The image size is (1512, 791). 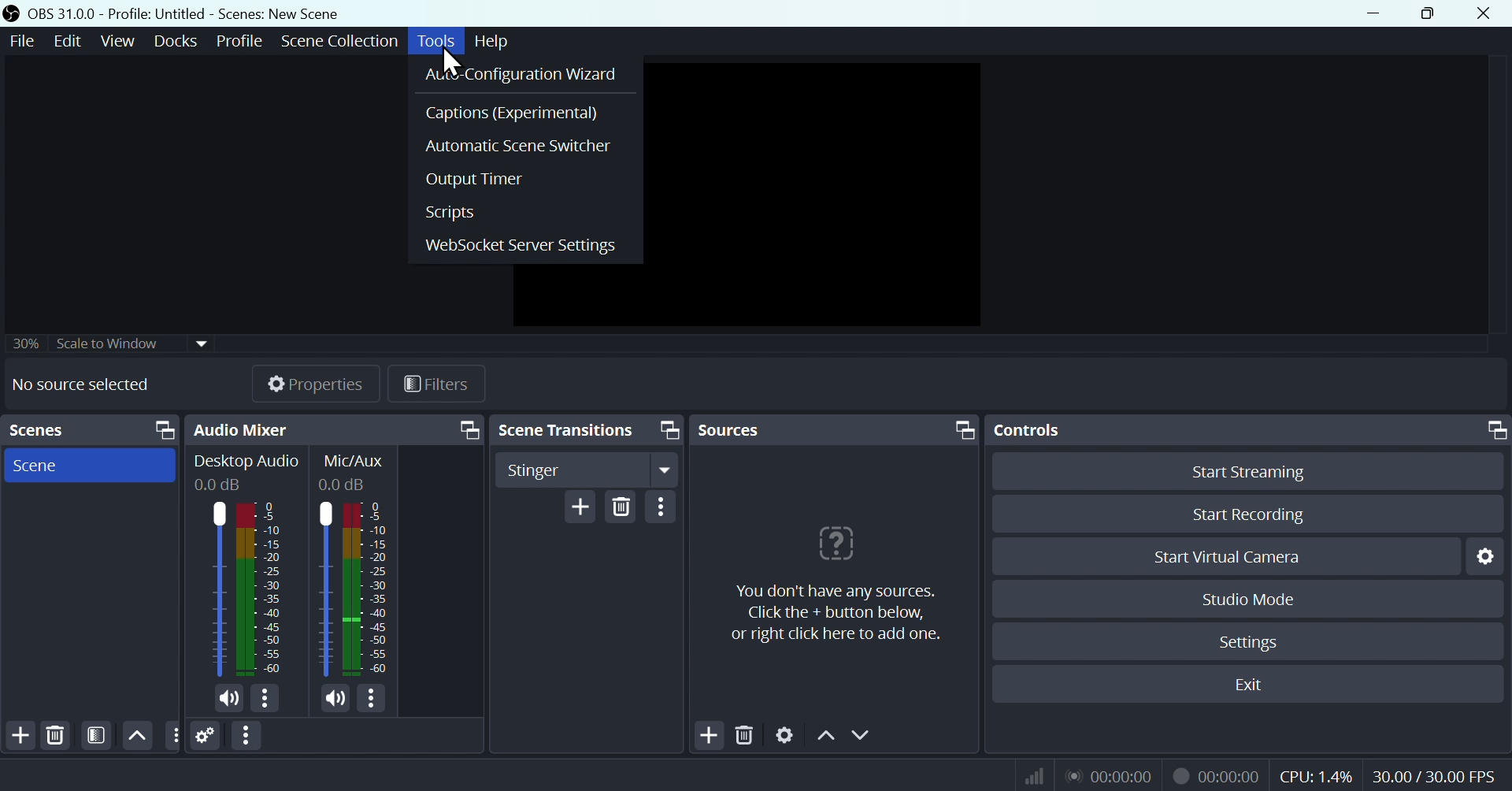 What do you see at coordinates (1432, 13) in the screenshot?
I see `Maximise` at bounding box center [1432, 13].